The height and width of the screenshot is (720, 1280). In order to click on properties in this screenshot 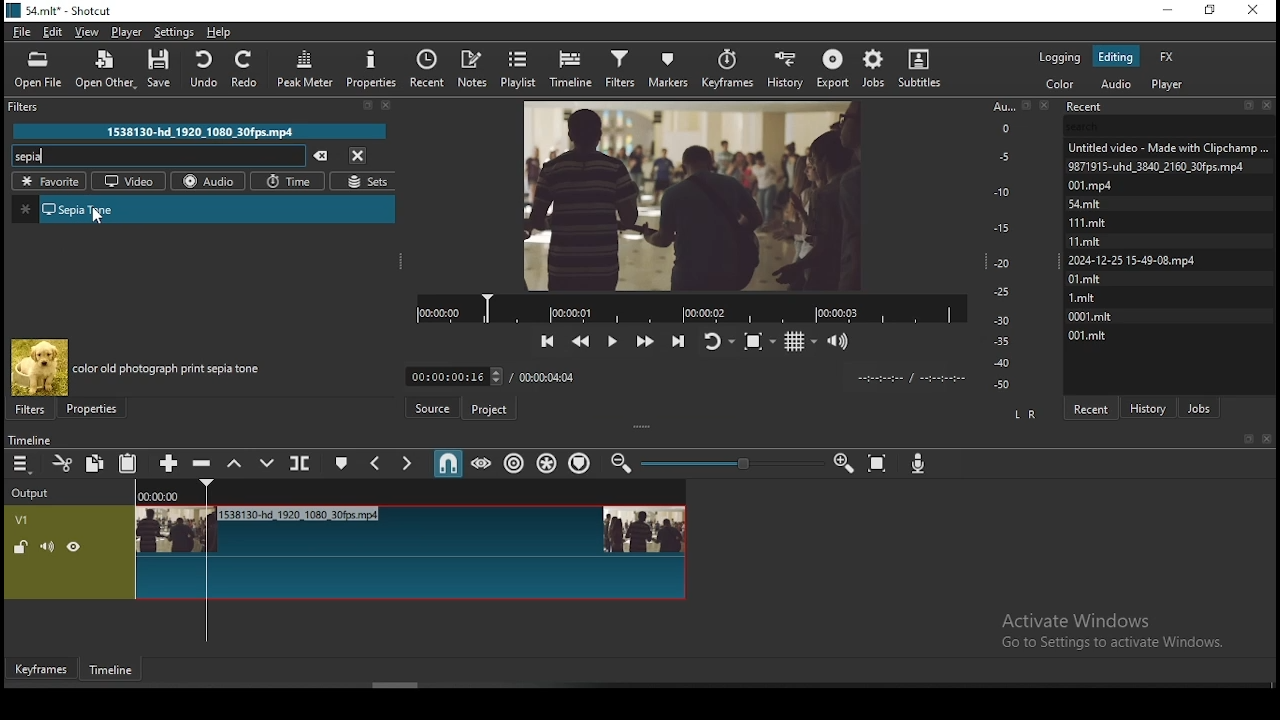, I will do `click(92, 408)`.